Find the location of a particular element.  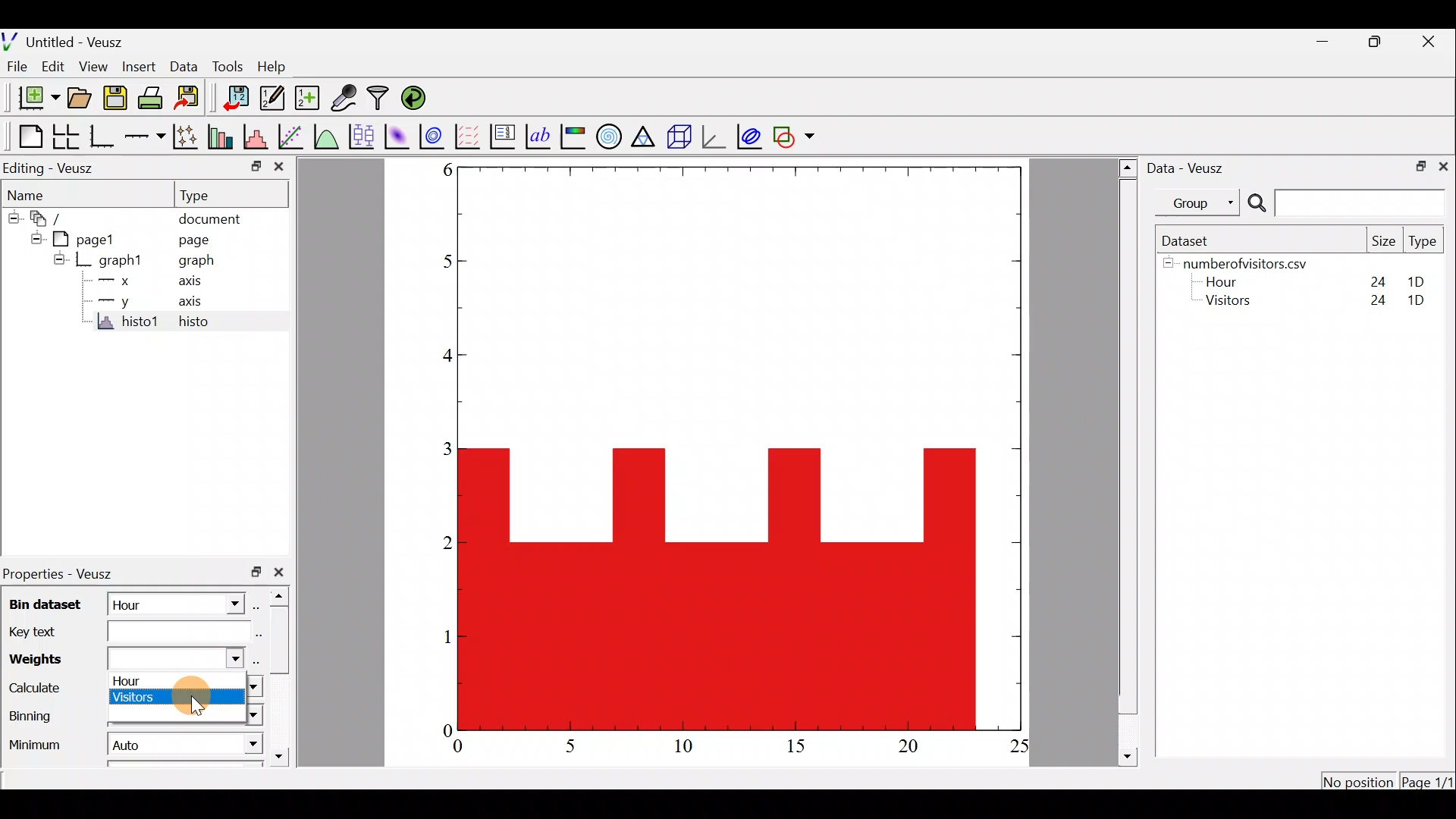

plot box plots is located at coordinates (364, 135).